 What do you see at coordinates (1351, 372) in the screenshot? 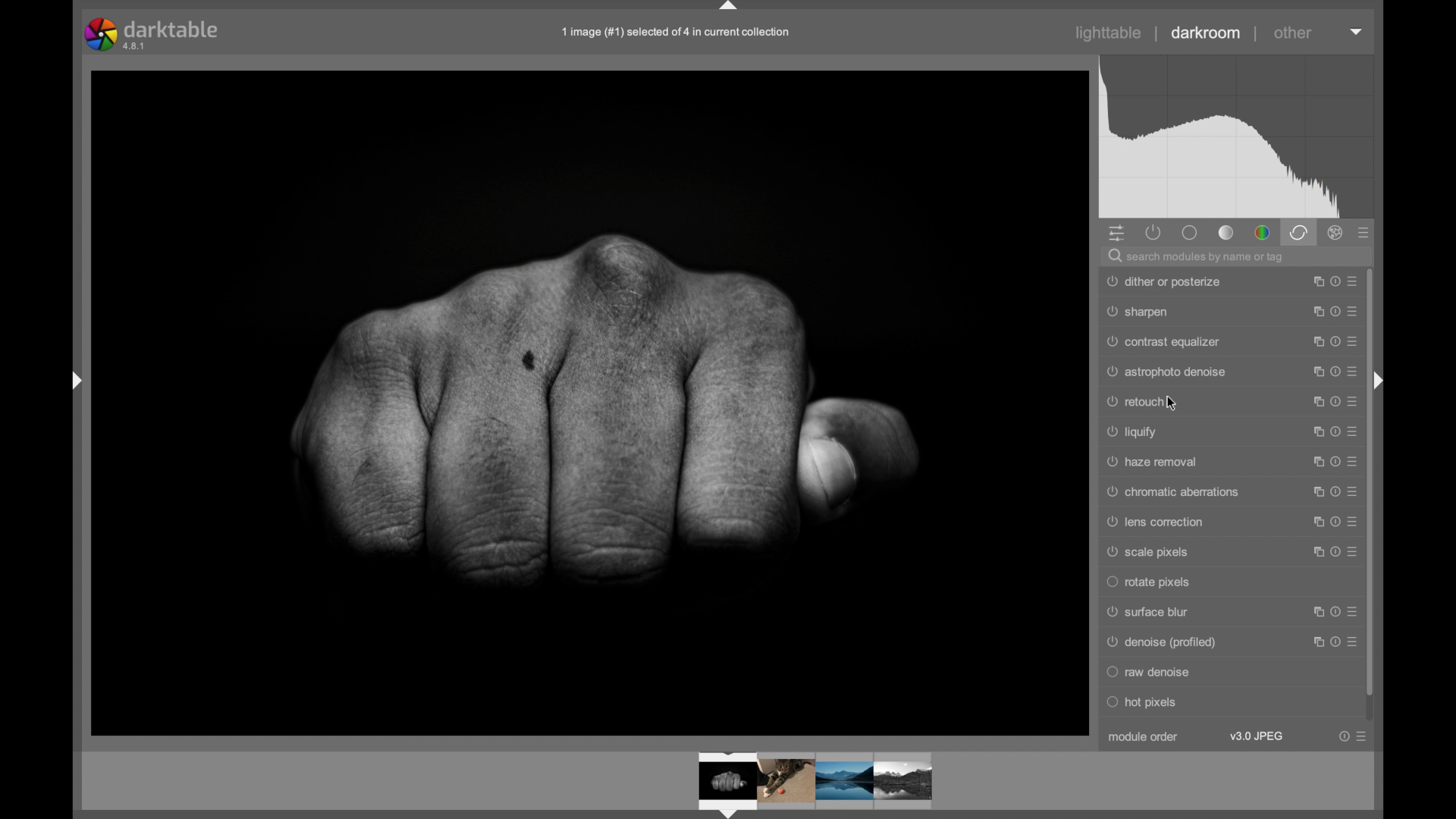
I see `more options` at bounding box center [1351, 372].